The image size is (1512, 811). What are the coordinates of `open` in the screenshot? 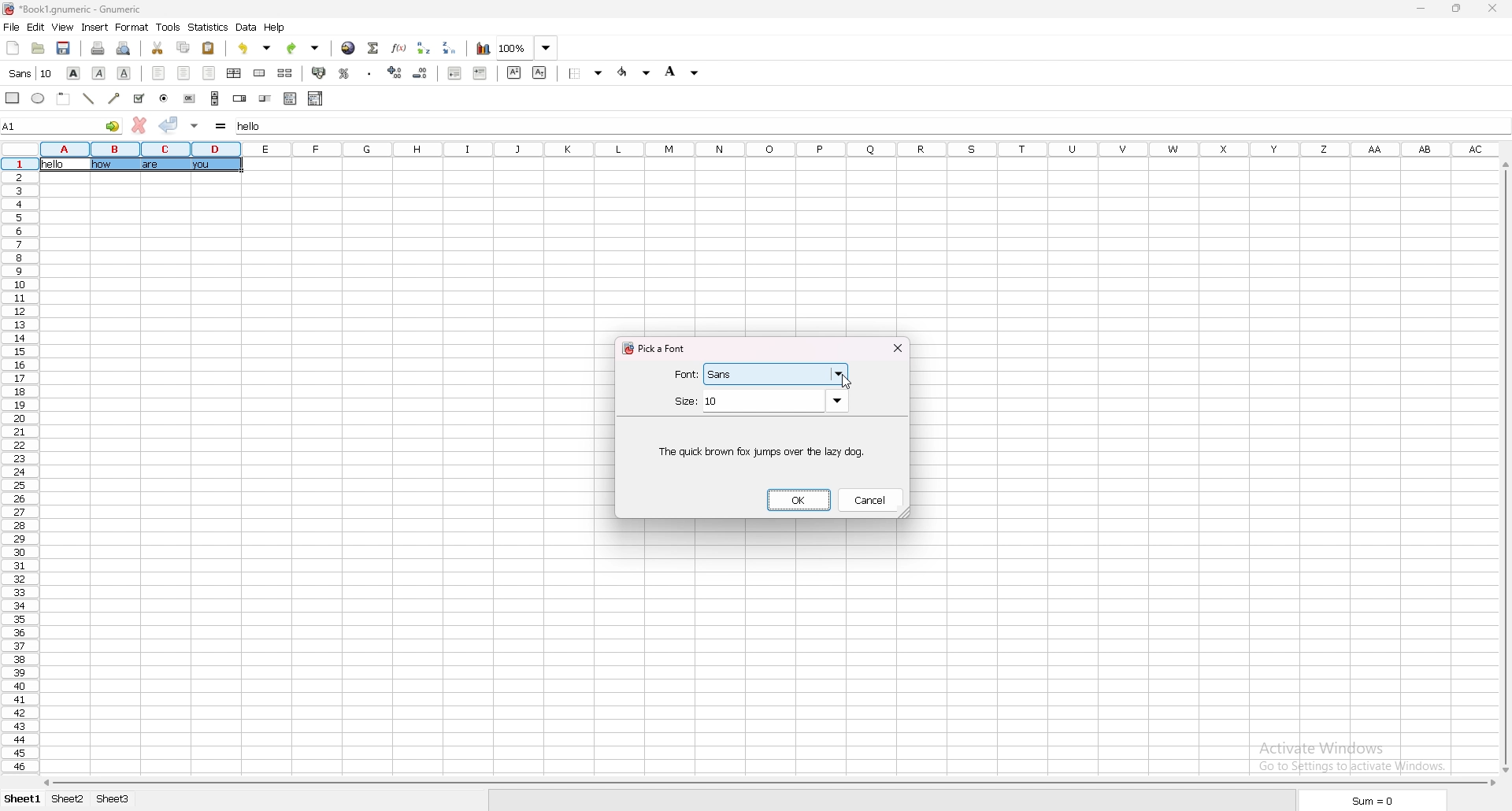 It's located at (38, 47).